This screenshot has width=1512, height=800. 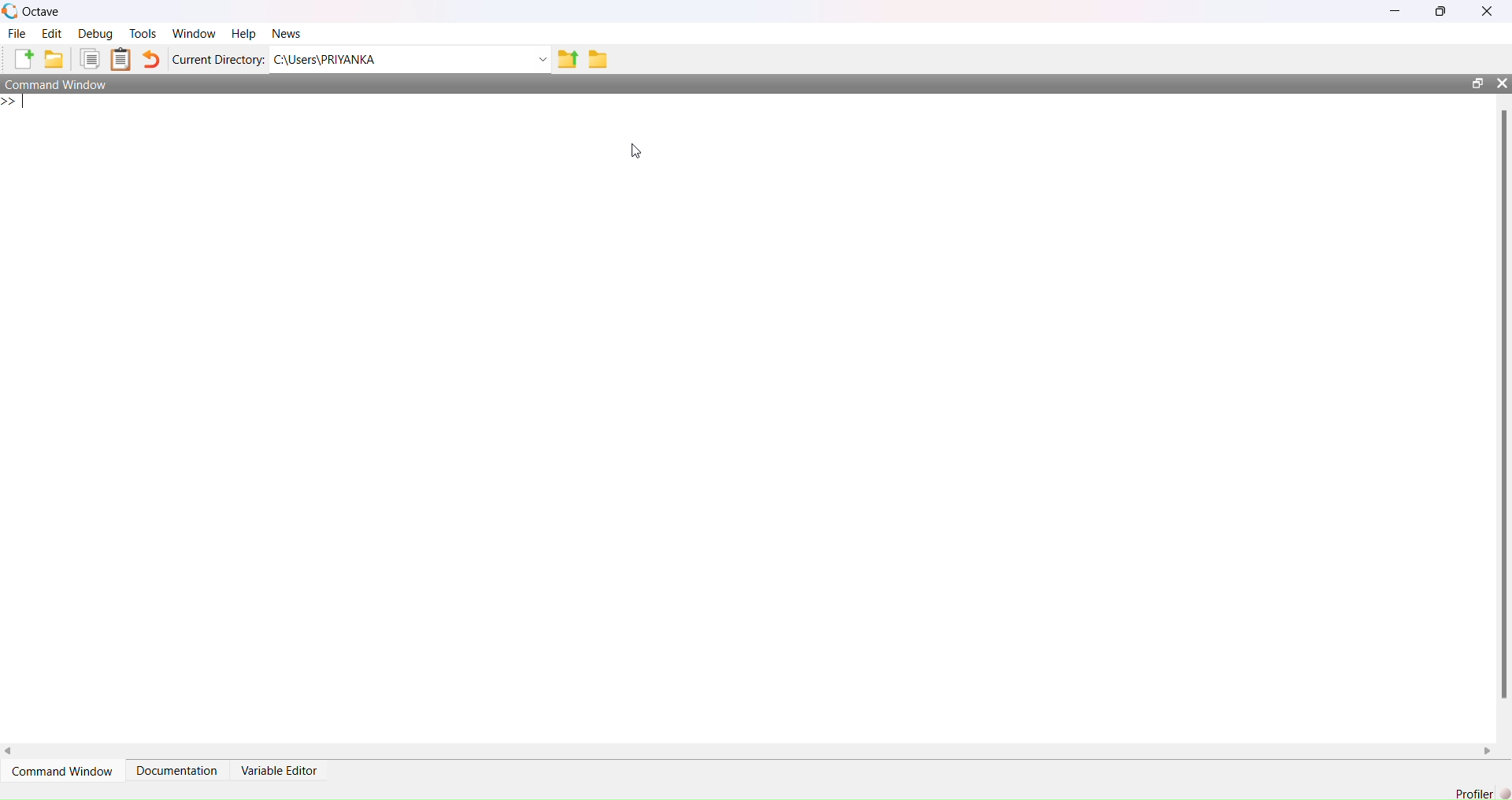 What do you see at coordinates (1503, 83) in the screenshot?
I see `close` at bounding box center [1503, 83].